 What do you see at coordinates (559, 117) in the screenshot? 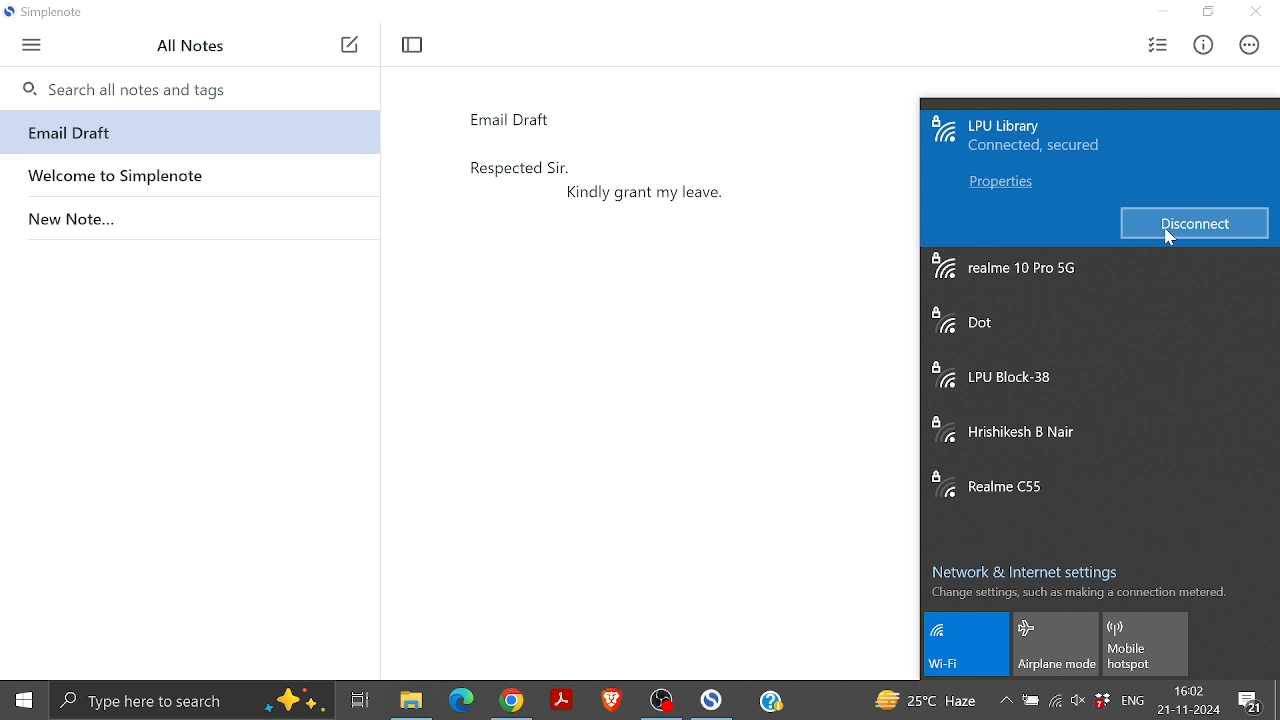
I see `Space for writing the title of the note` at bounding box center [559, 117].